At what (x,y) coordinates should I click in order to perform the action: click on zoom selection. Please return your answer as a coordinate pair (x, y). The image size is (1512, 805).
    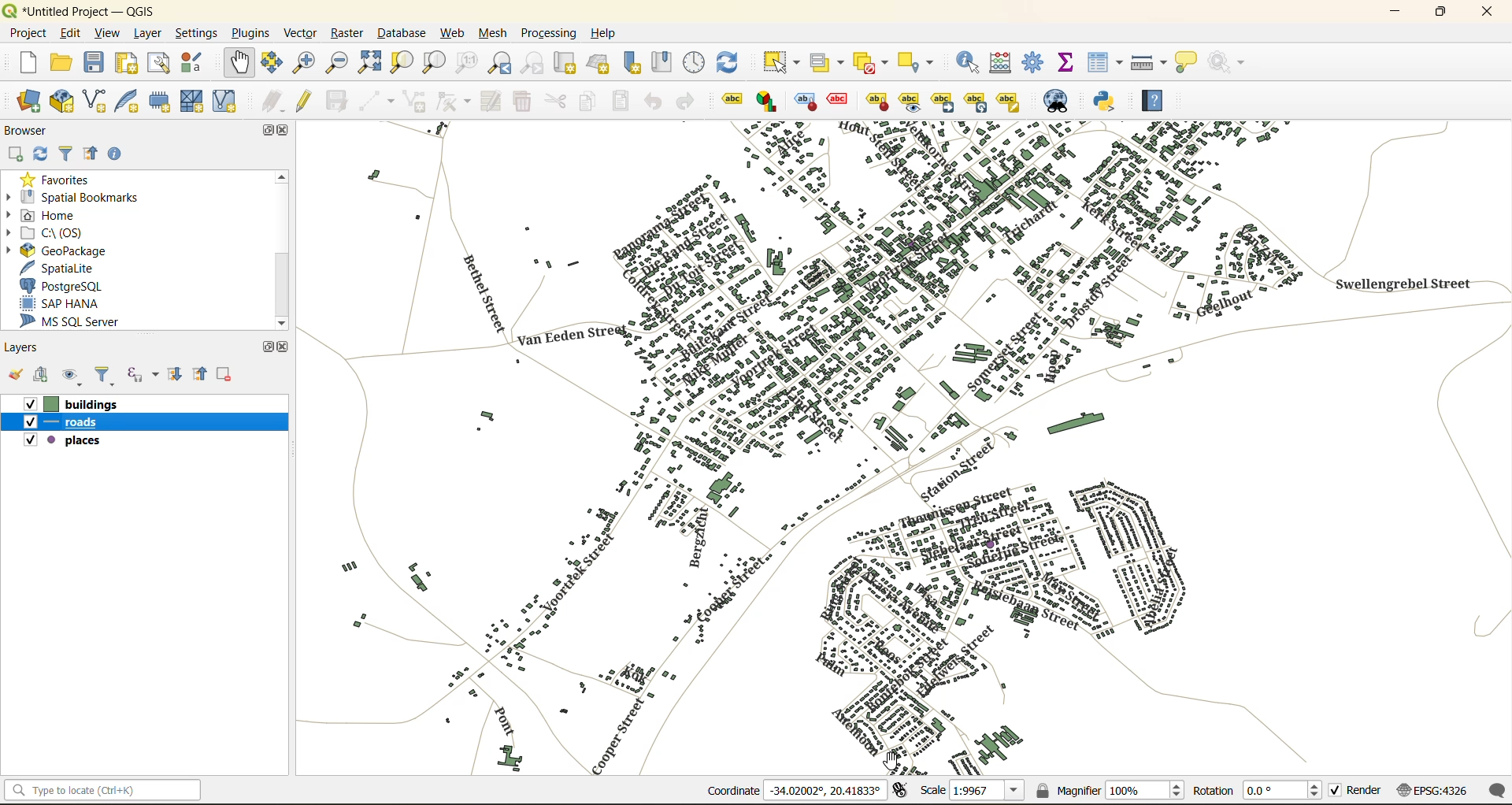
    Looking at the image, I should click on (402, 66).